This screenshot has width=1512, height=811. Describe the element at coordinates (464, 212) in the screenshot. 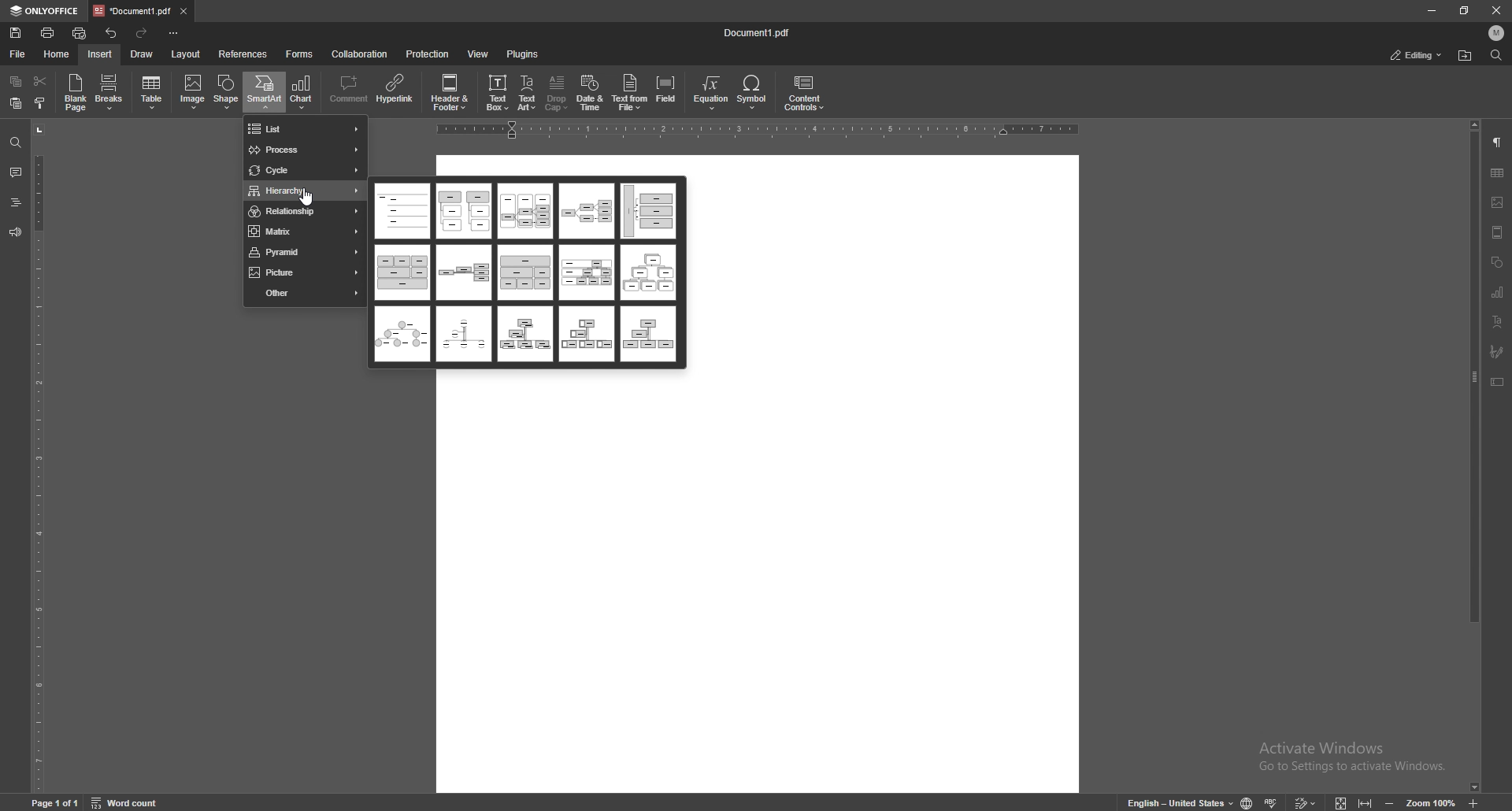

I see `hierarchy smart art` at that location.